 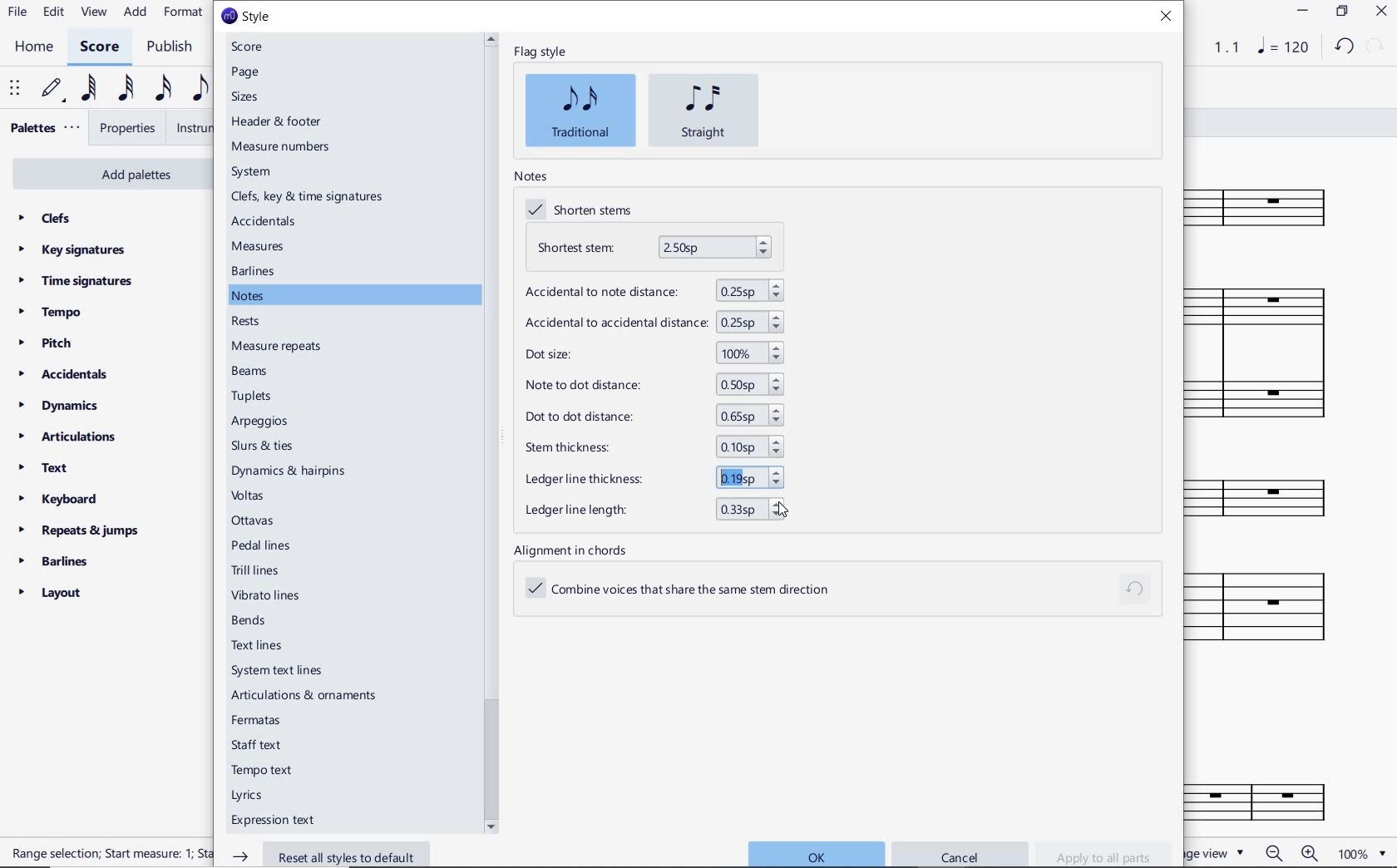 I want to click on dot size, so click(x=653, y=354).